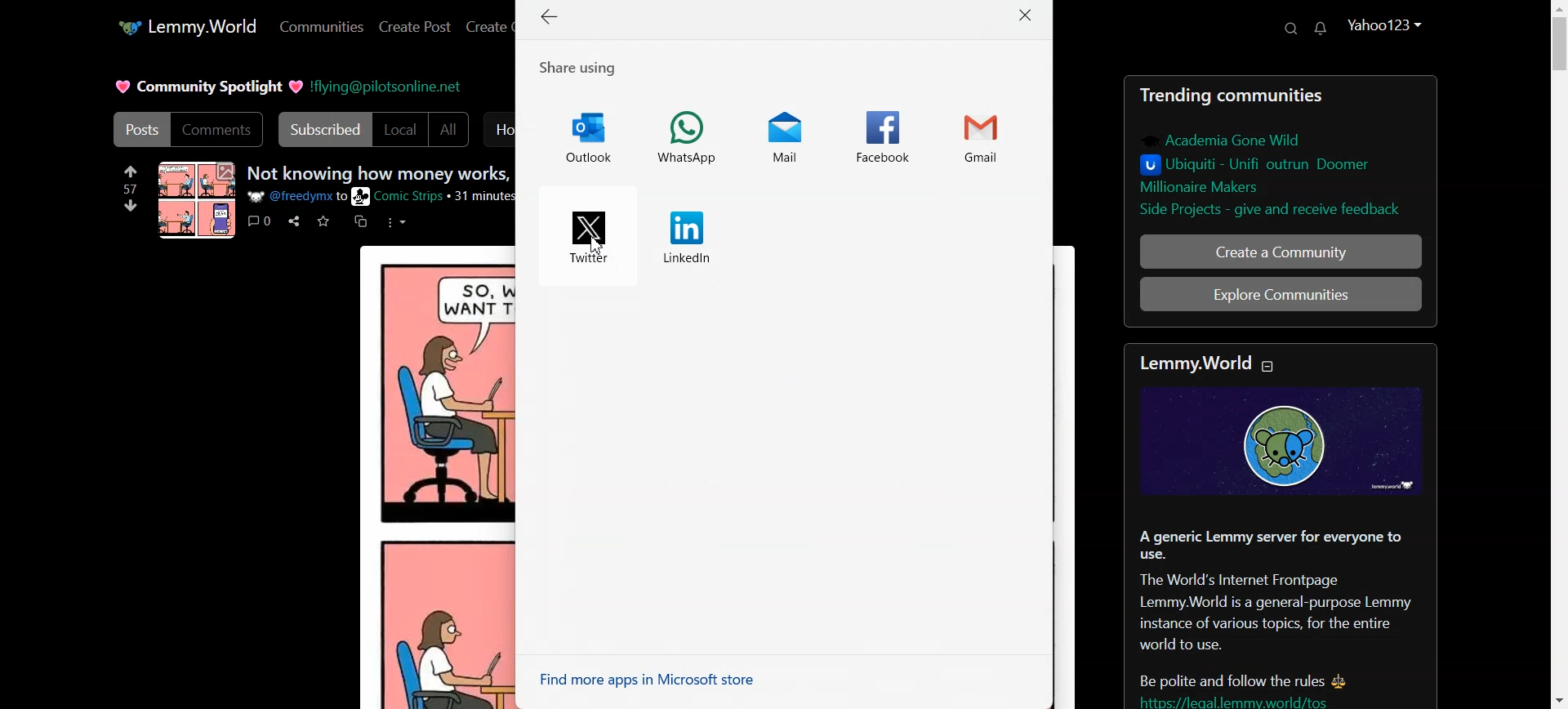 This screenshot has width=1568, height=709. I want to click on all, so click(452, 129).